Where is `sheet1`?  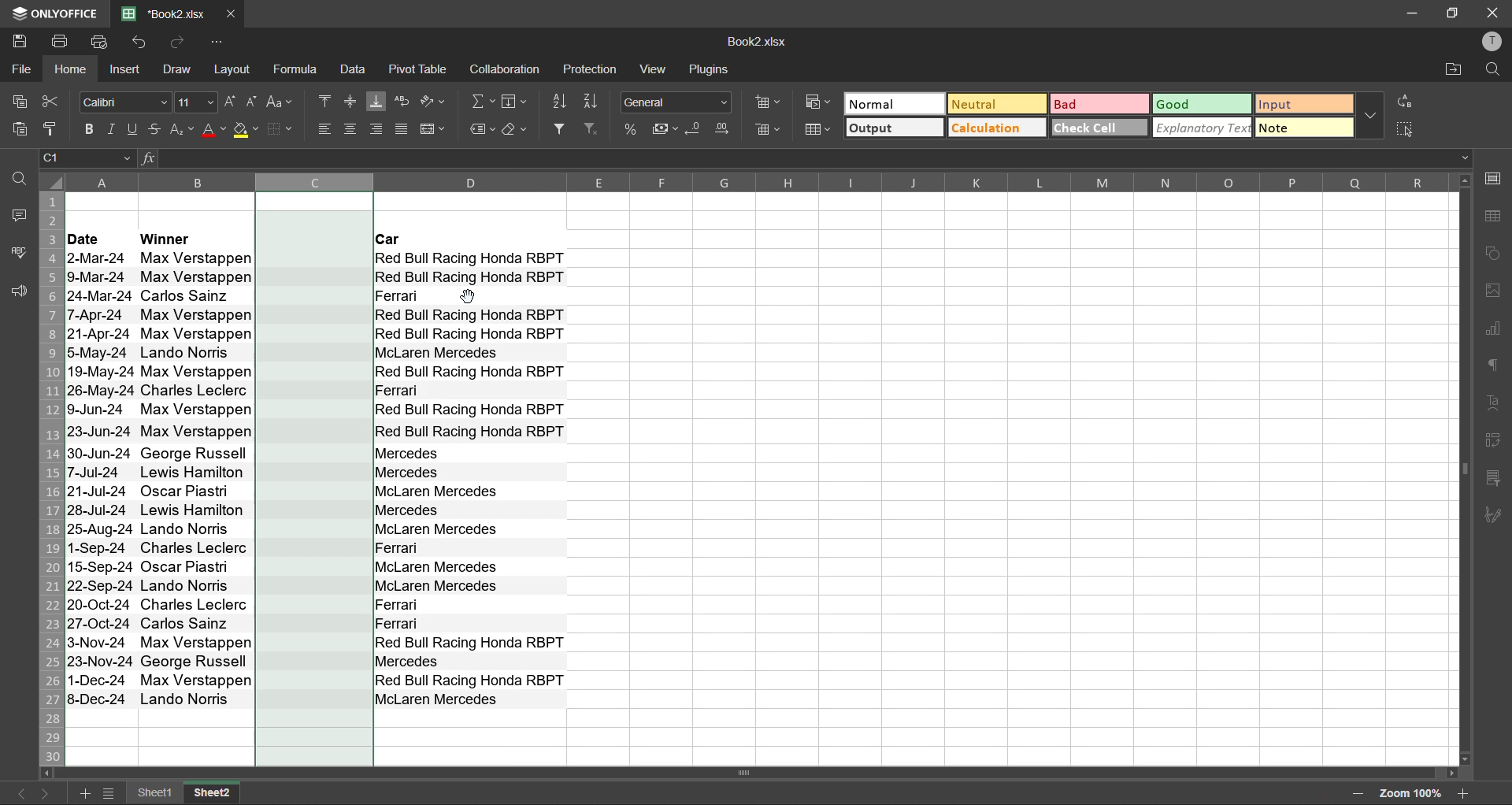 sheet1 is located at coordinates (154, 793).